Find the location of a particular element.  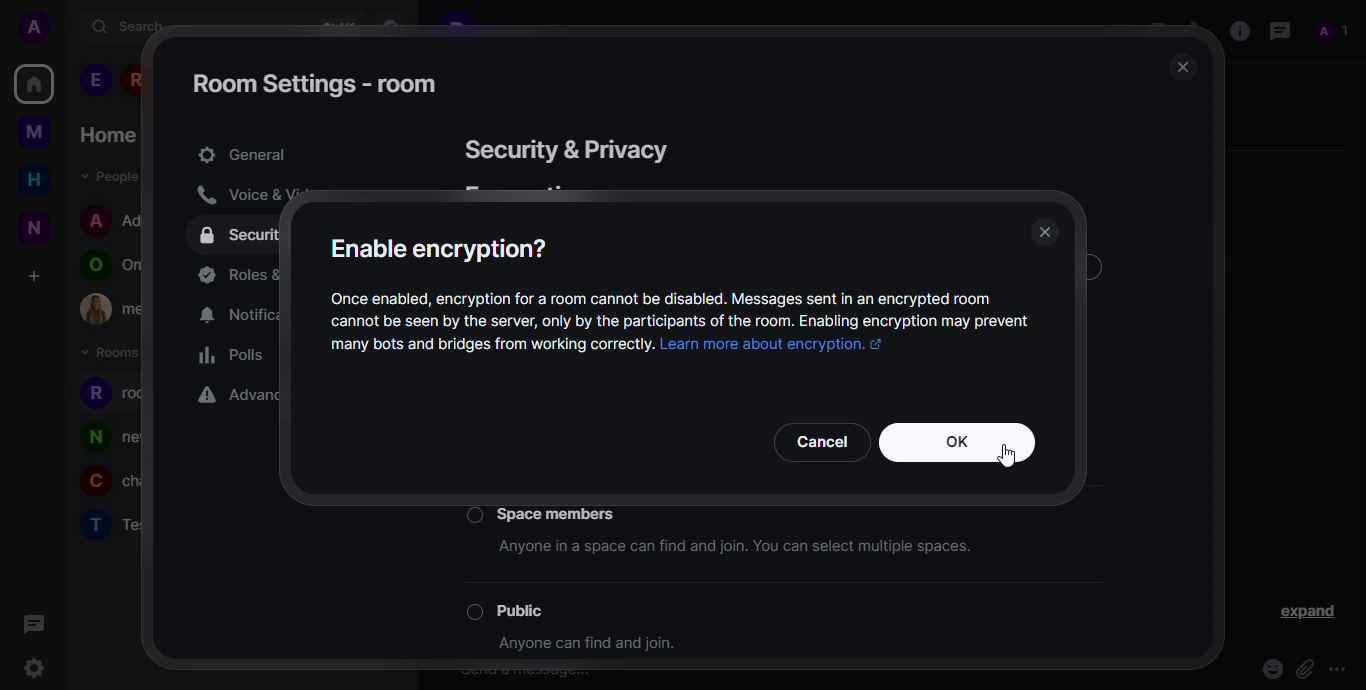

room settings is located at coordinates (316, 83).